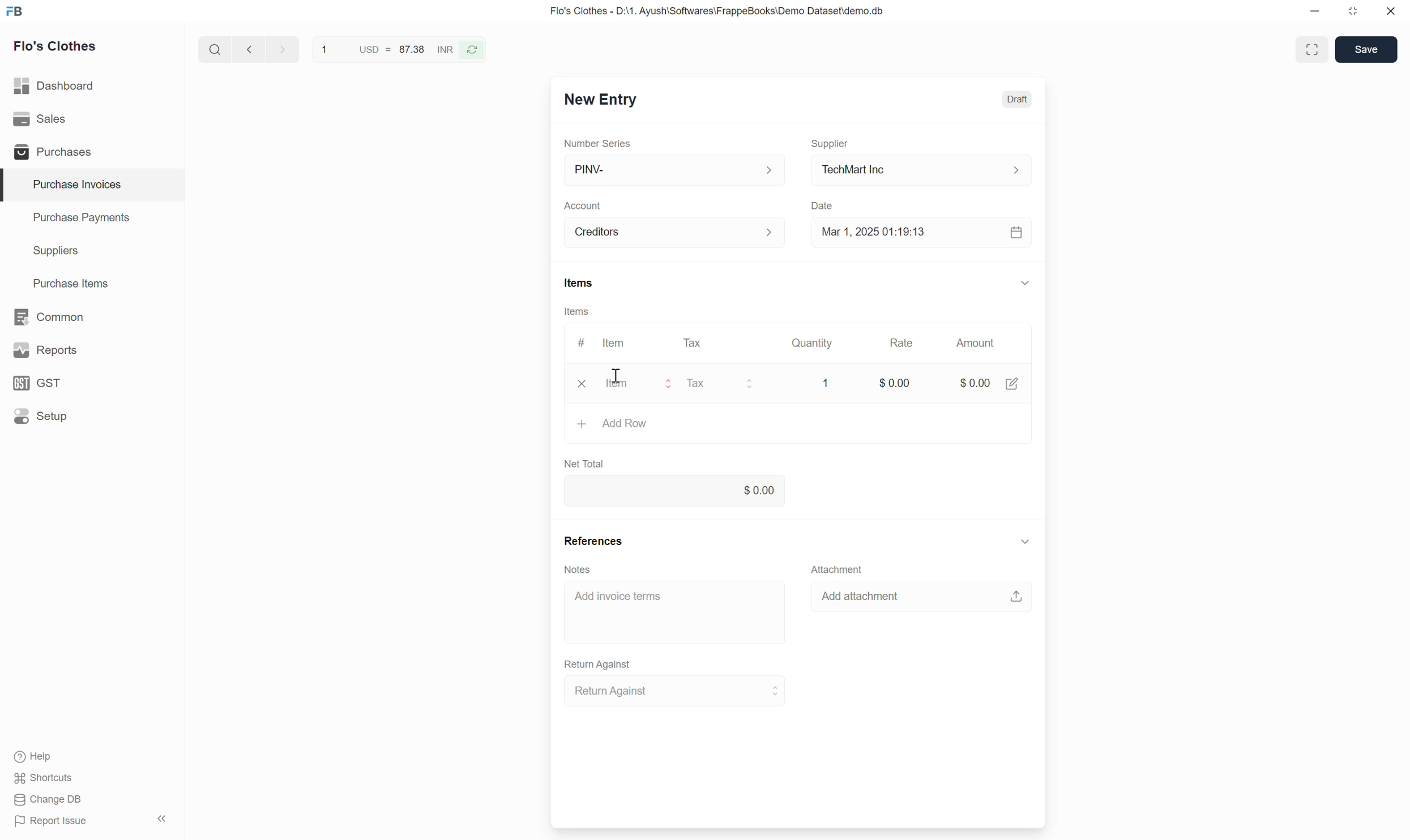 The width and height of the screenshot is (1410, 840). I want to click on Attachment, so click(847, 569).